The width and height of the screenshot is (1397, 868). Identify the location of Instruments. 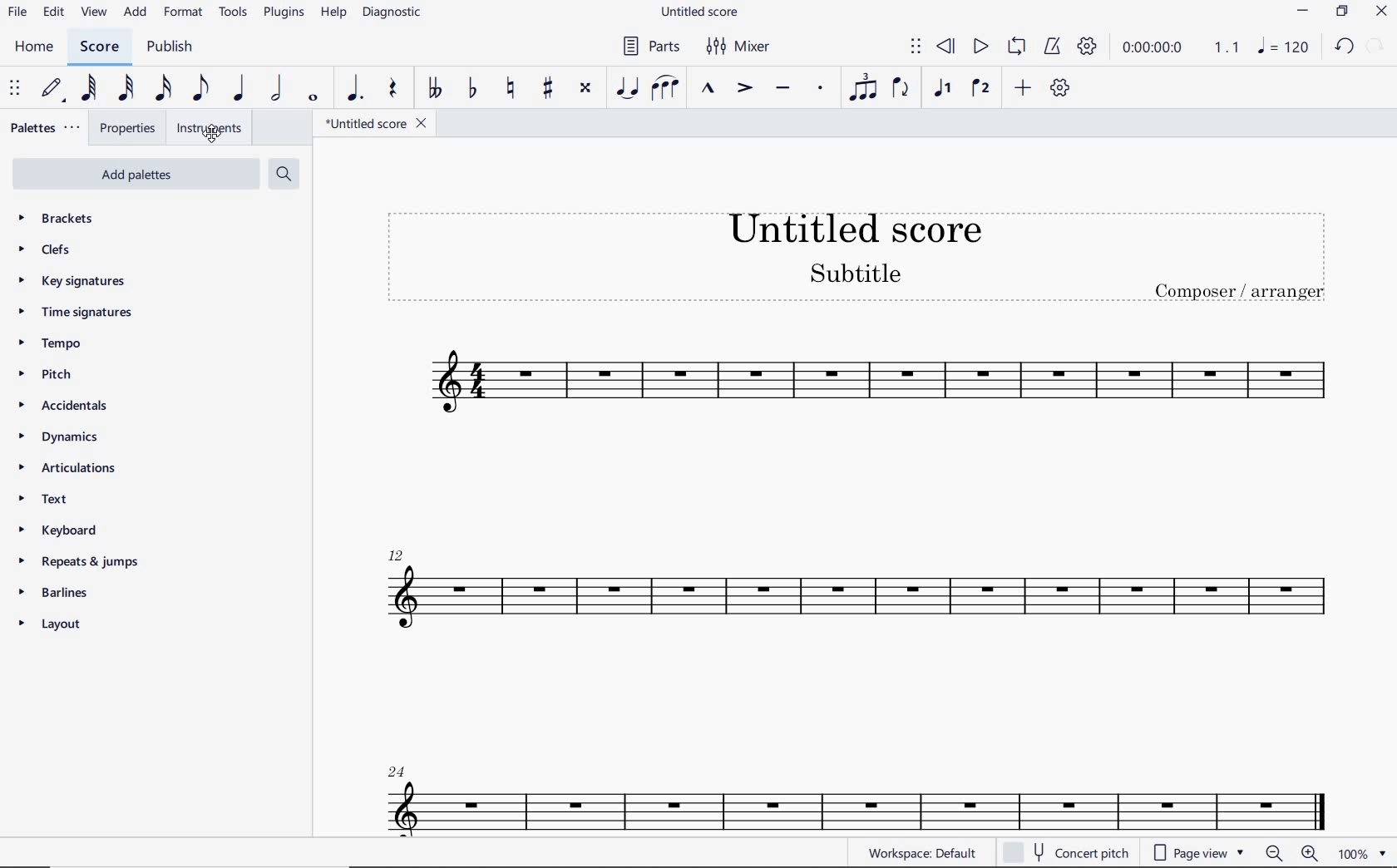
(208, 129).